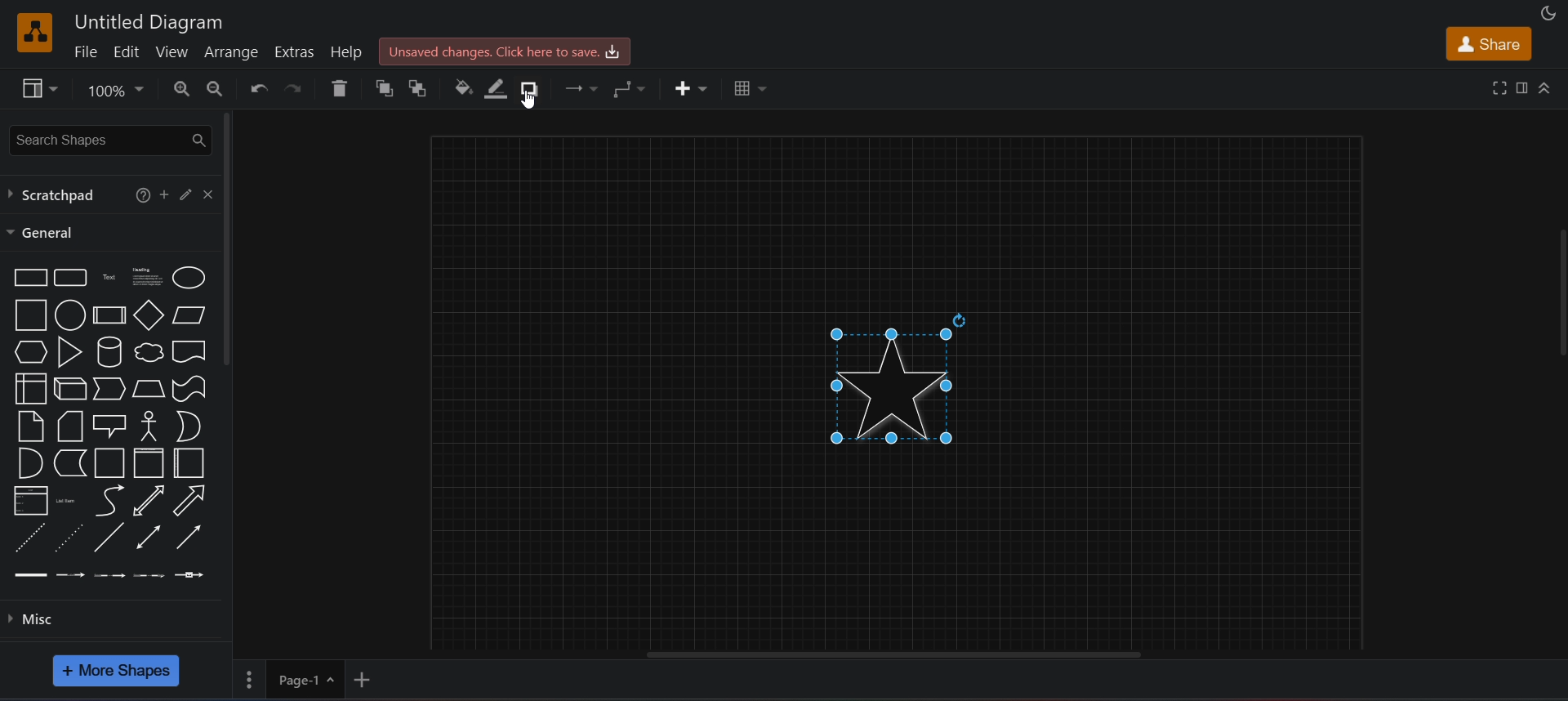 The image size is (1568, 701). I want to click on cursor, so click(533, 103).